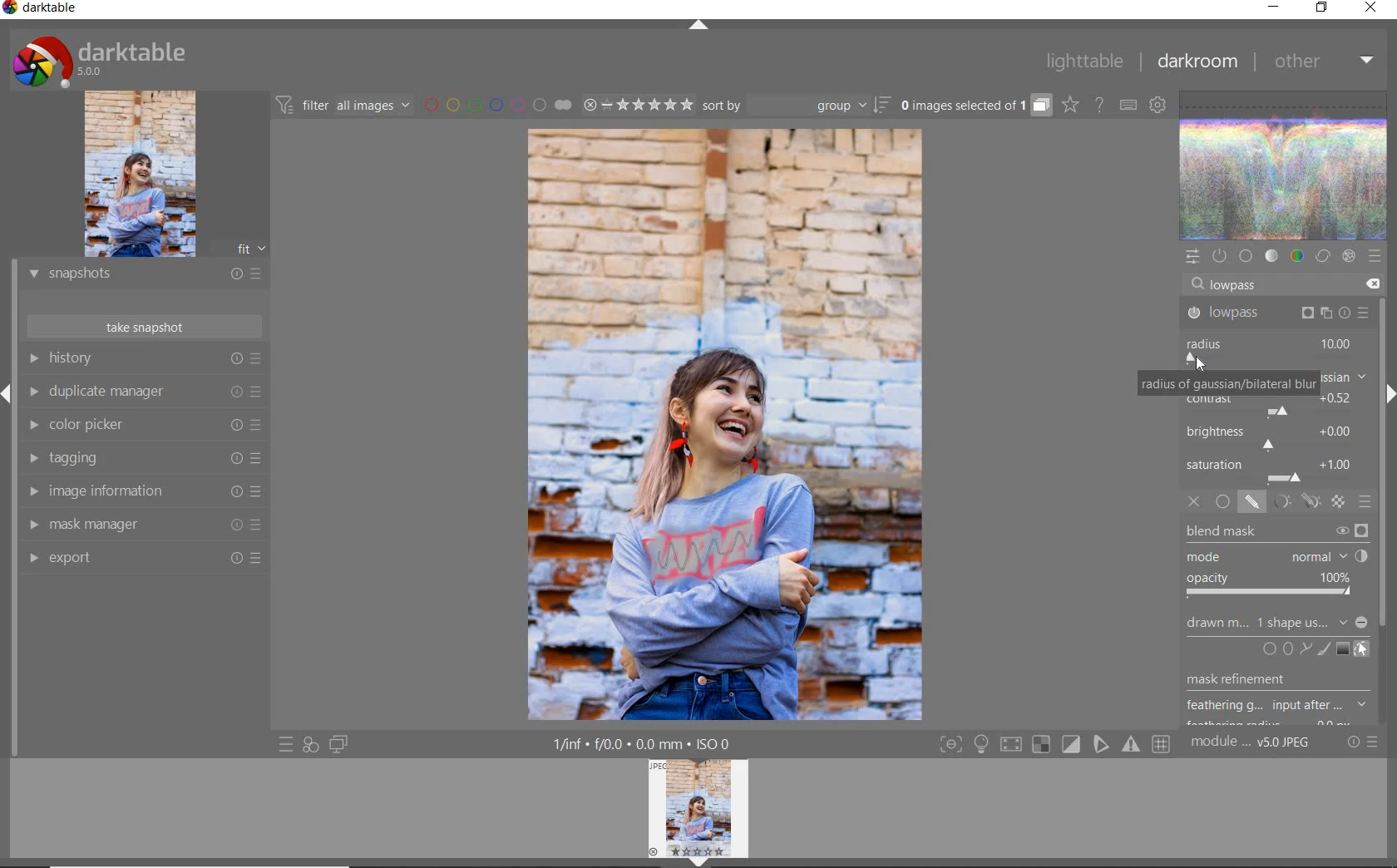 The width and height of the screenshot is (1397, 868). Describe the element at coordinates (339, 743) in the screenshot. I see `display a second darkroom image window` at that location.